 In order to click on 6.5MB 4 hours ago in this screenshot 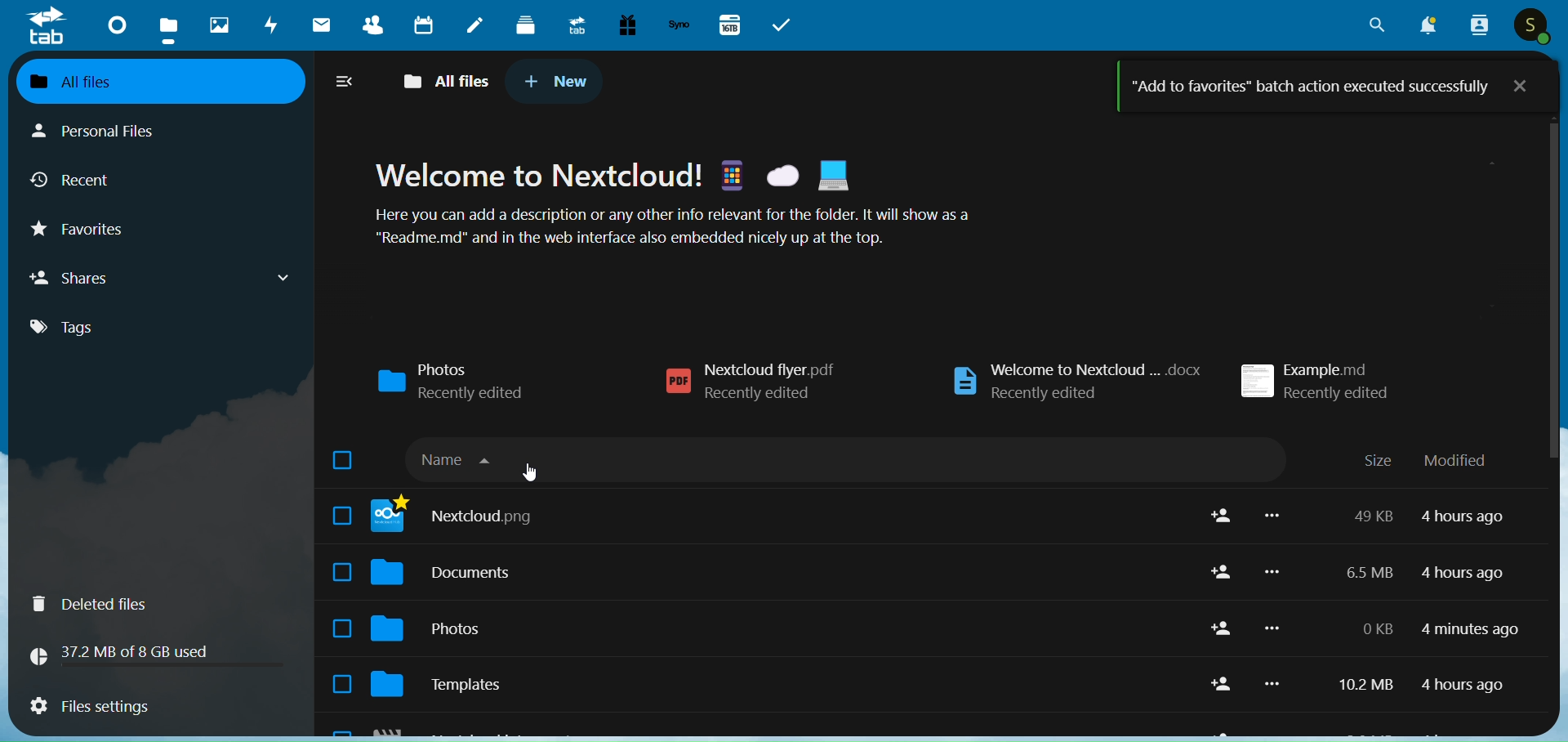, I will do `click(1427, 574)`.